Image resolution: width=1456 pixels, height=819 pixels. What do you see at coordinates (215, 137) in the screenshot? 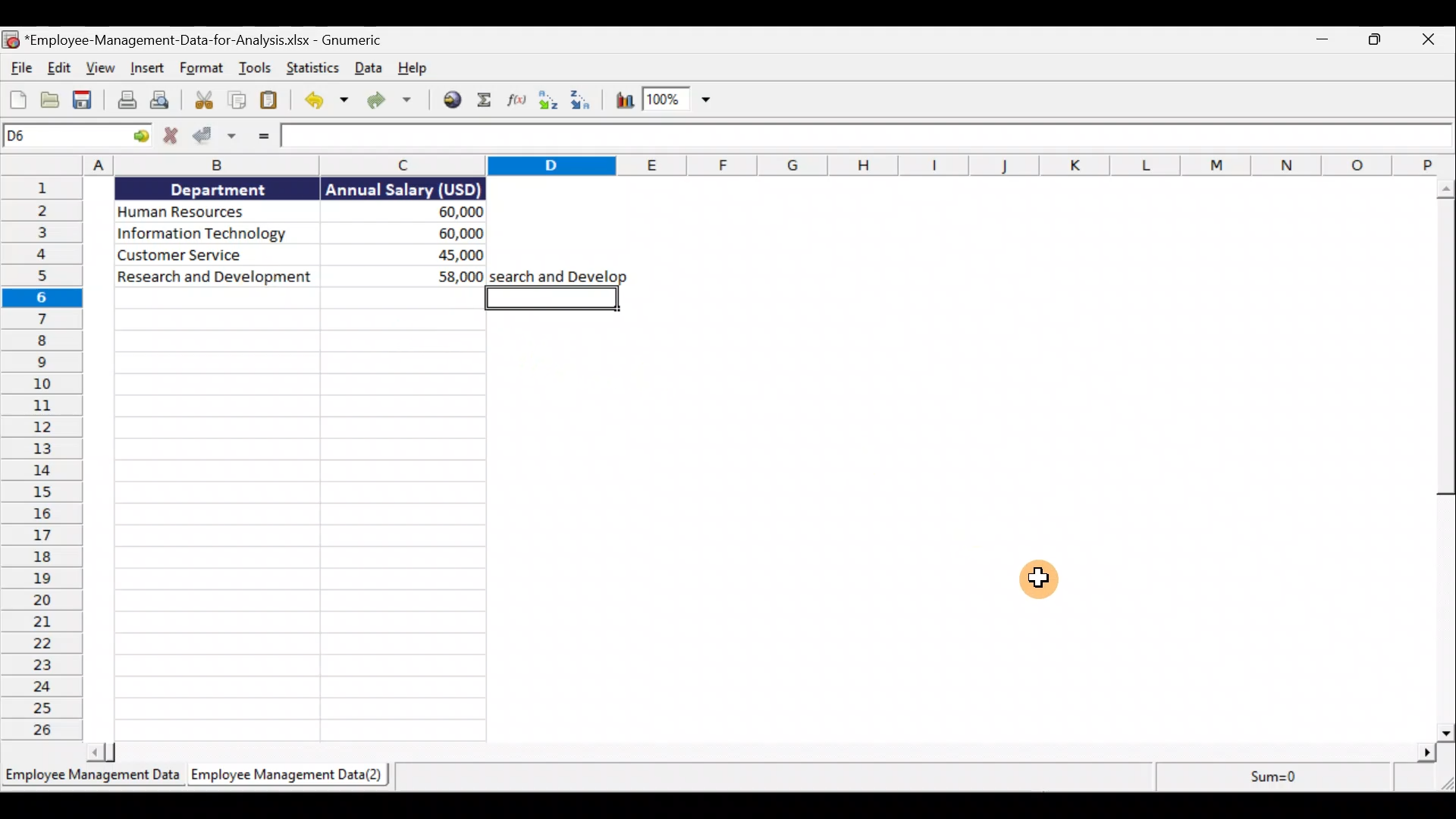
I see `Accept change` at bounding box center [215, 137].